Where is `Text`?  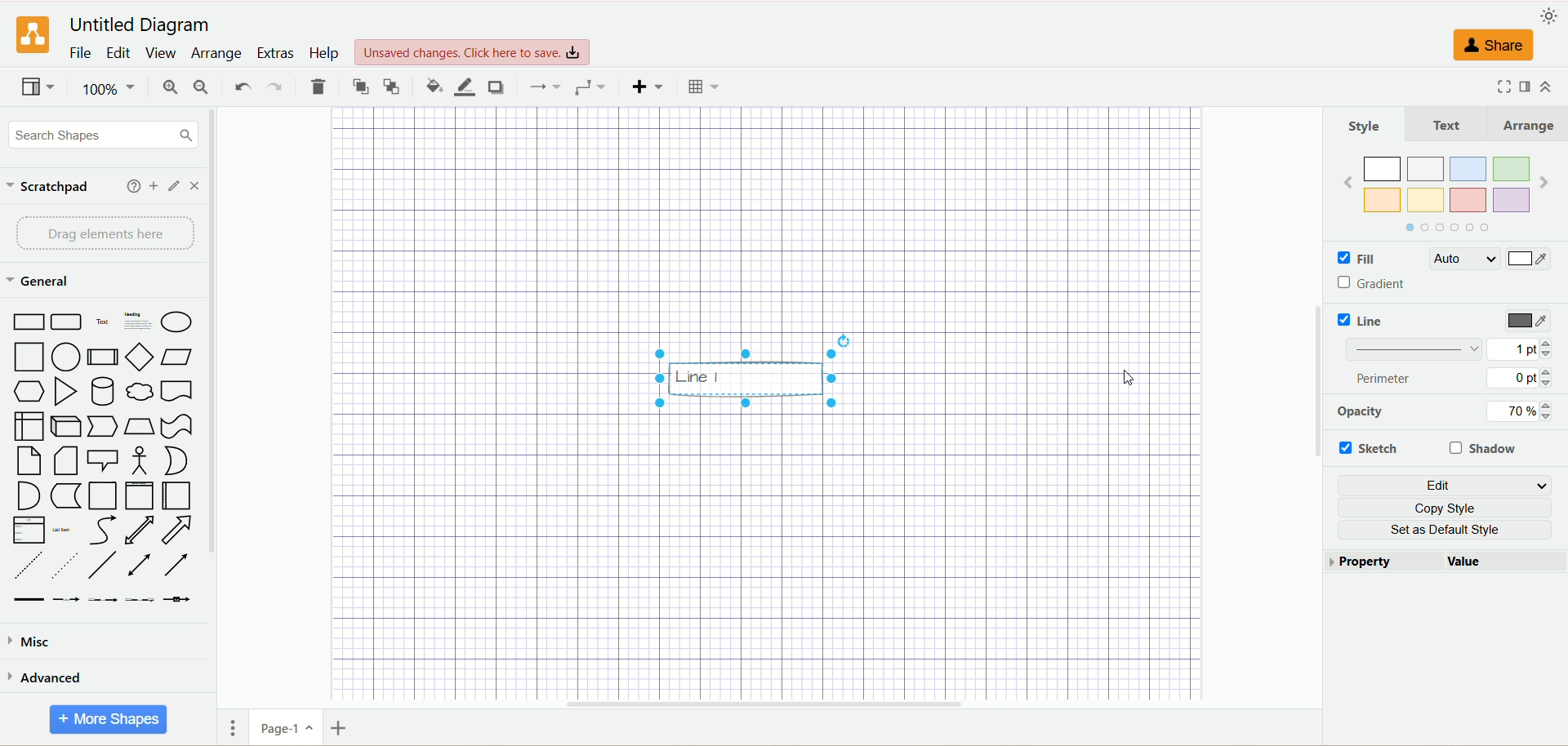 Text is located at coordinates (1445, 123).